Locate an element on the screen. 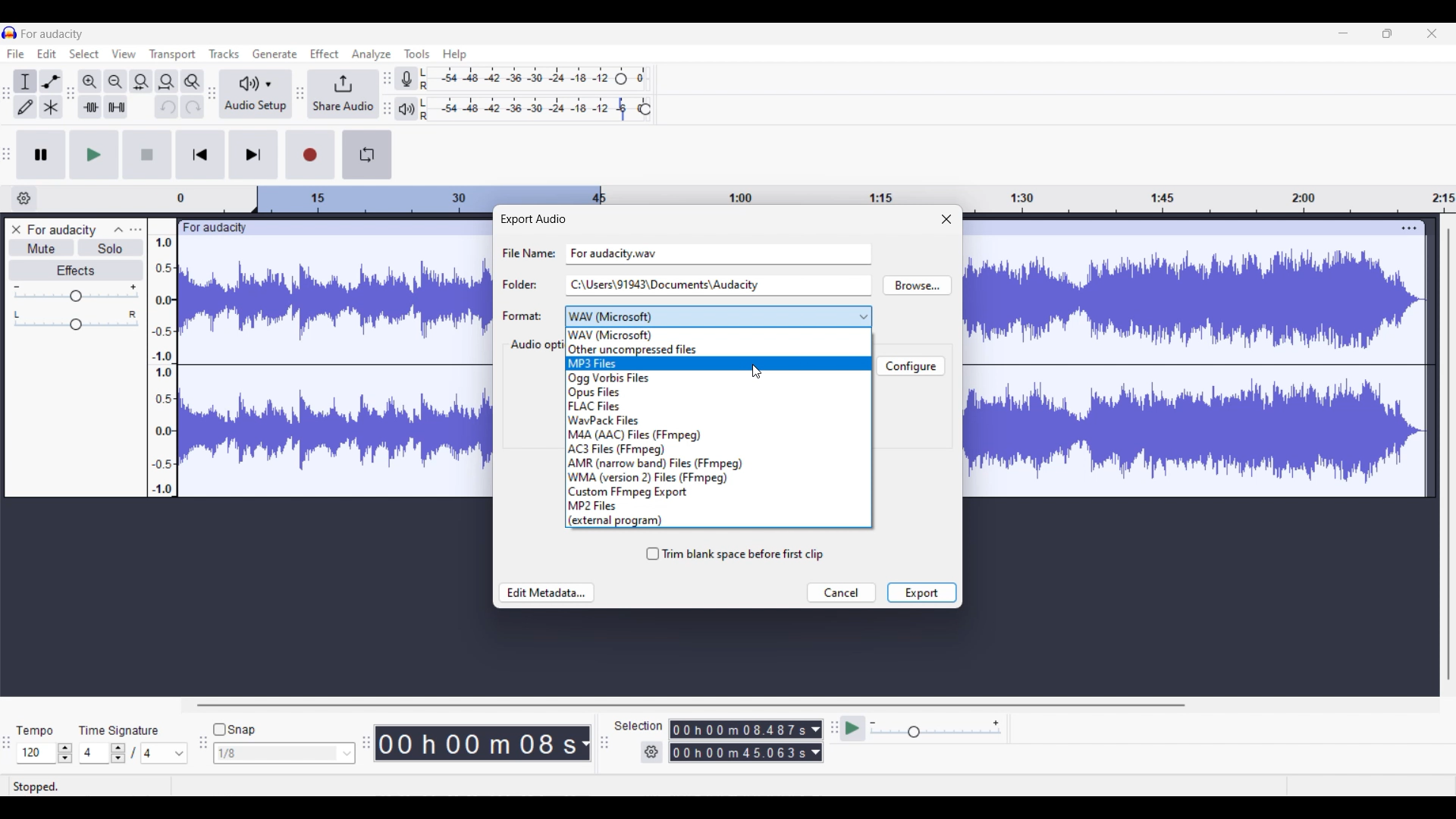 This screenshot has width=1456, height=819. Text box for Folders is located at coordinates (717, 284).